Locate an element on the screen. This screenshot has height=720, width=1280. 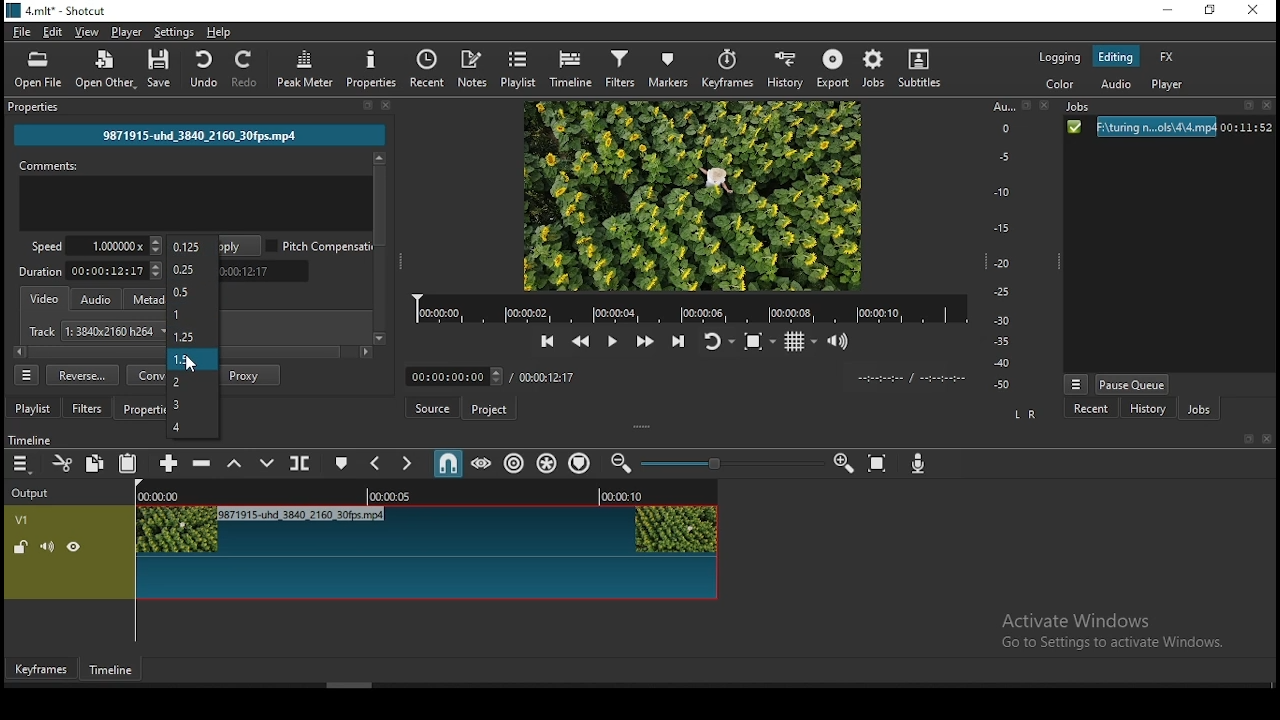
redo is located at coordinates (250, 69).